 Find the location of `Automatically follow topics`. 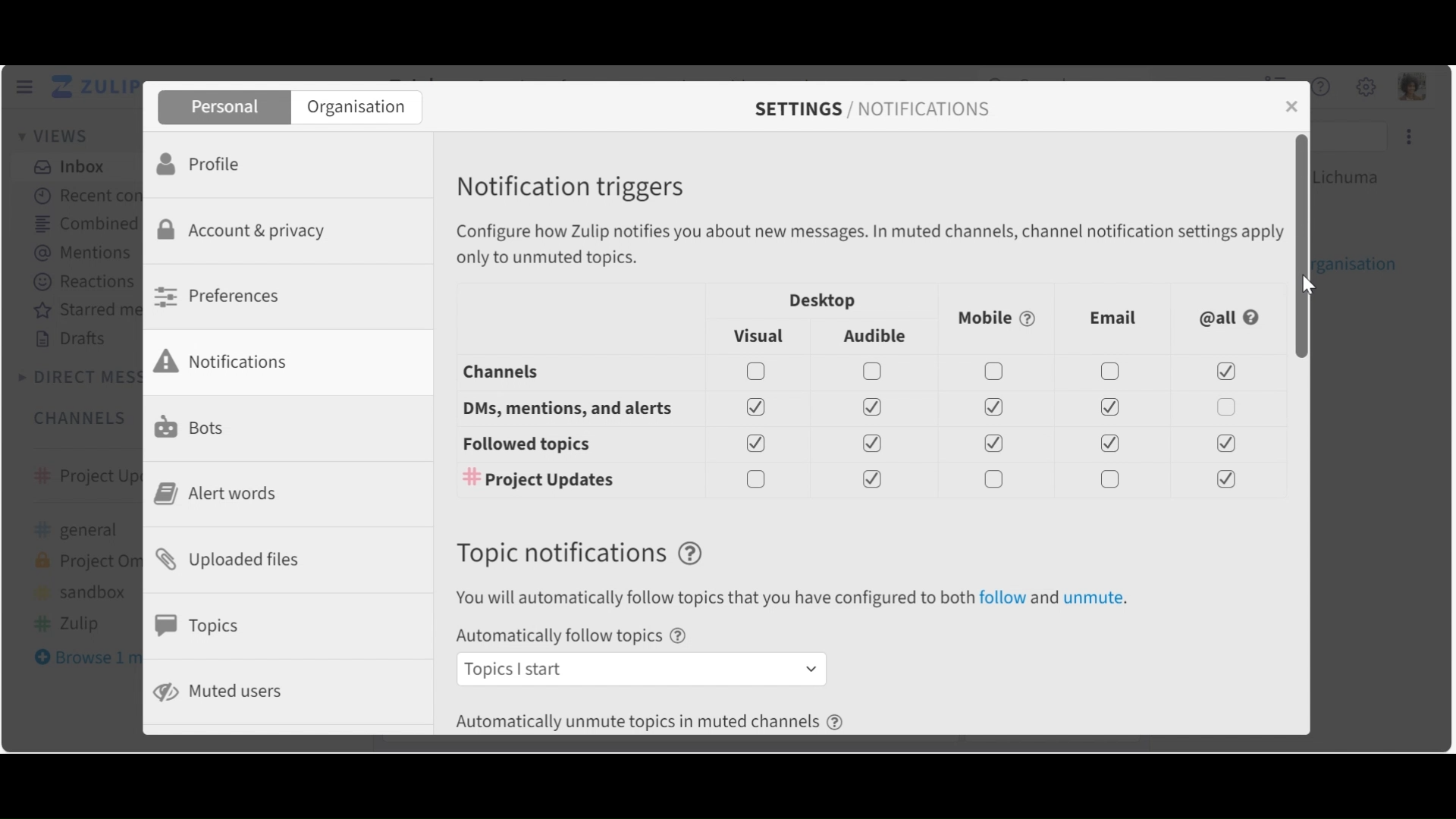

Automatically follow topics is located at coordinates (576, 638).